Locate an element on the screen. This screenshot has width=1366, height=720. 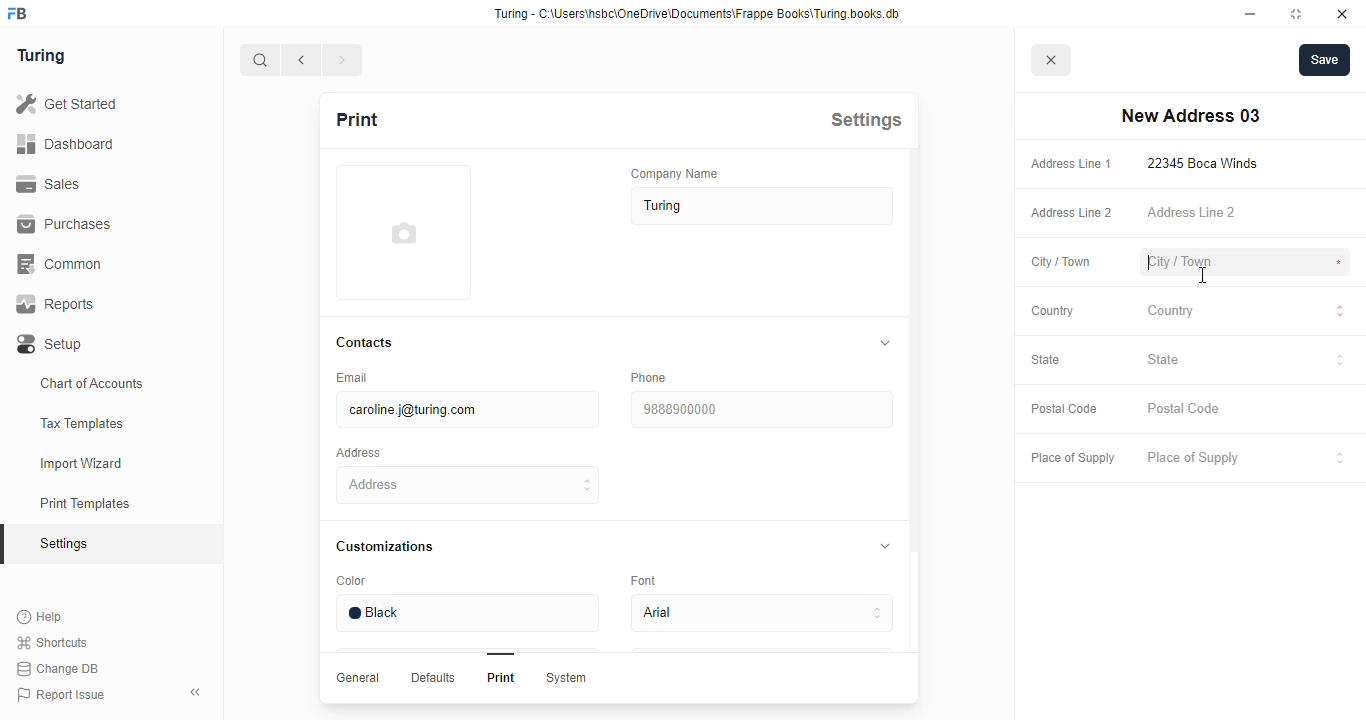
compulsory to fill *  is located at coordinates (1340, 263).